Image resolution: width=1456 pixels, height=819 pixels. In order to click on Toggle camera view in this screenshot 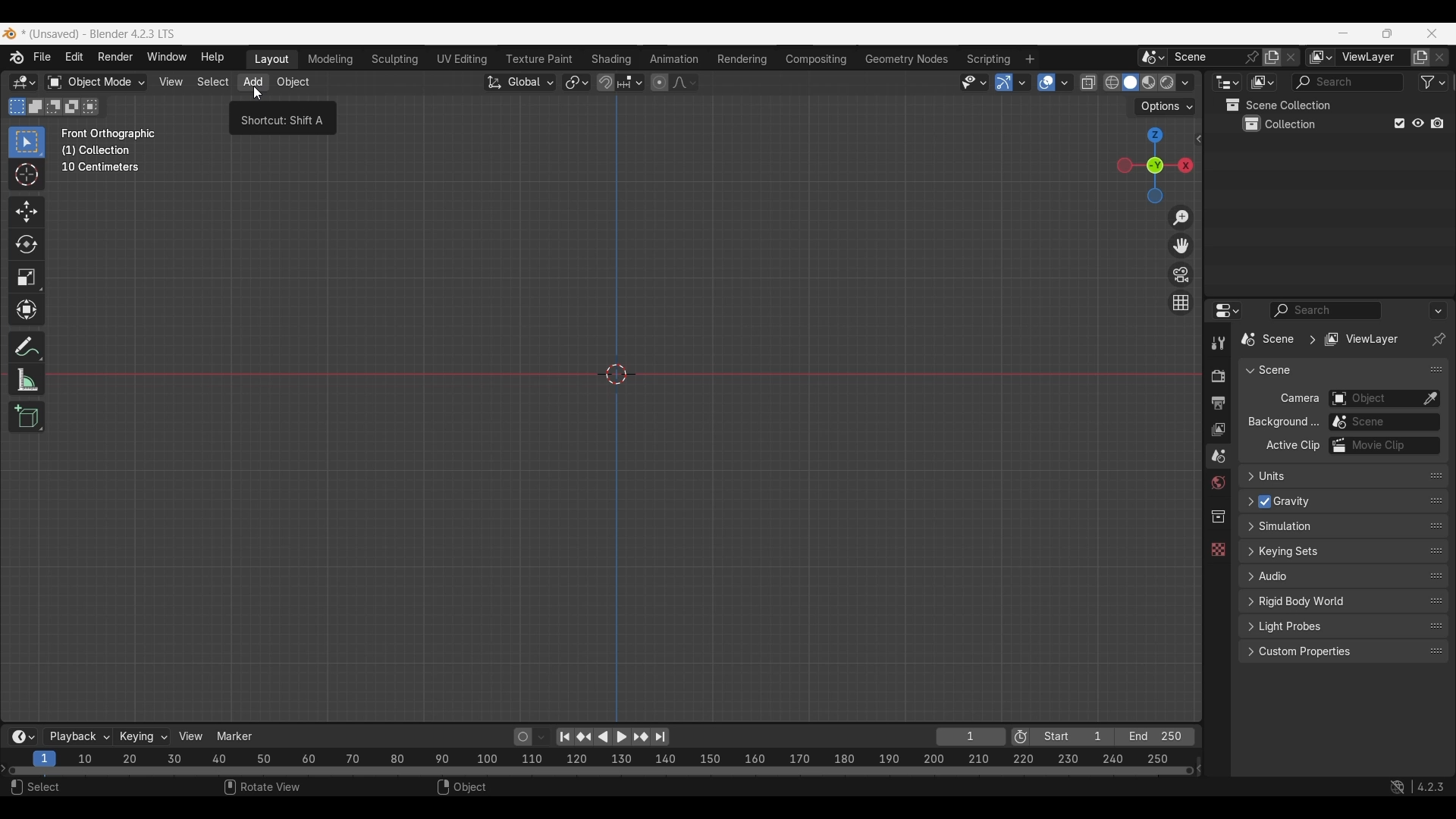, I will do `click(1180, 272)`.